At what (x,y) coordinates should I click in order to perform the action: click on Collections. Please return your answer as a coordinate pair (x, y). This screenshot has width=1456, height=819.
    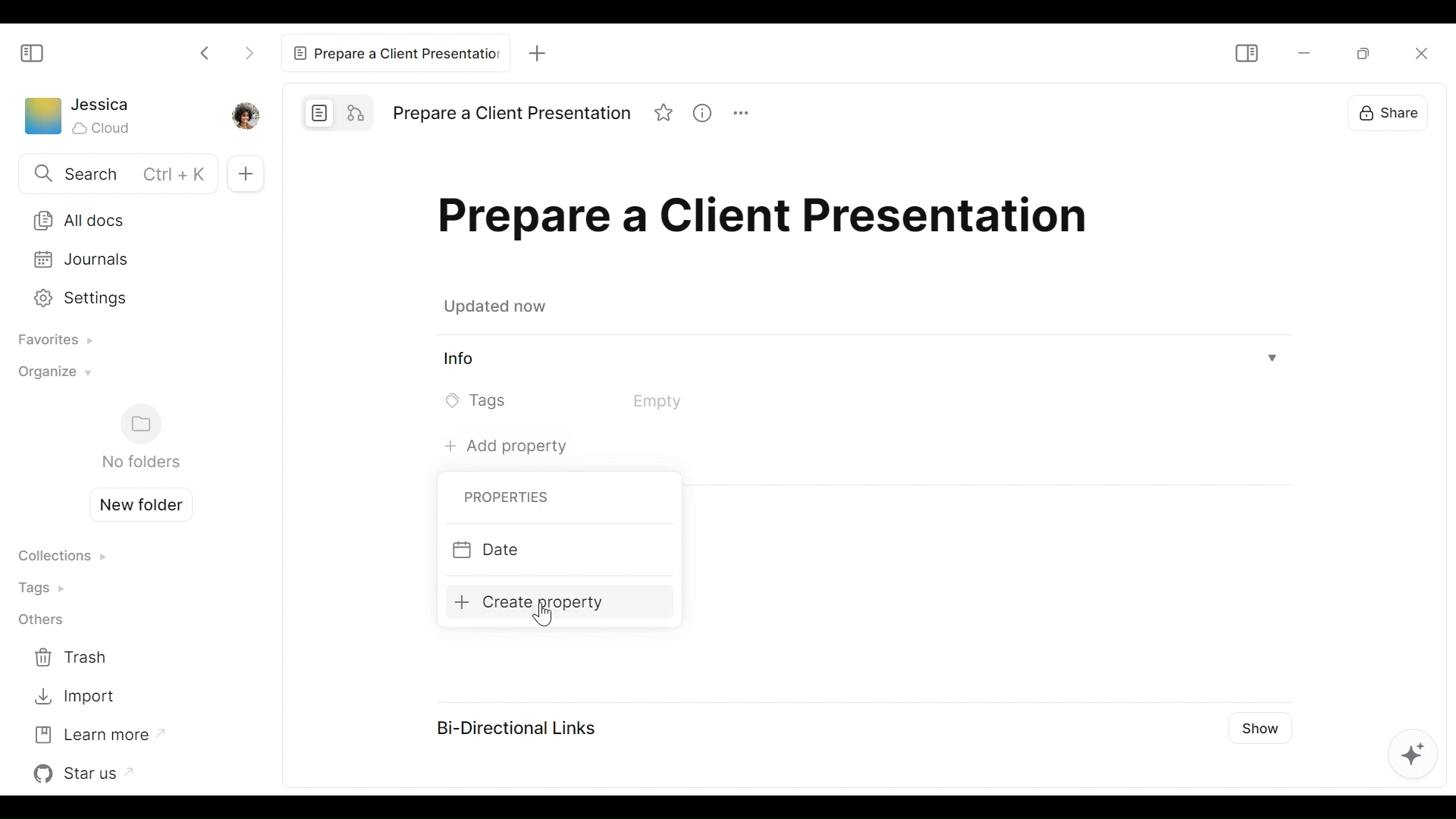
    Looking at the image, I should click on (61, 557).